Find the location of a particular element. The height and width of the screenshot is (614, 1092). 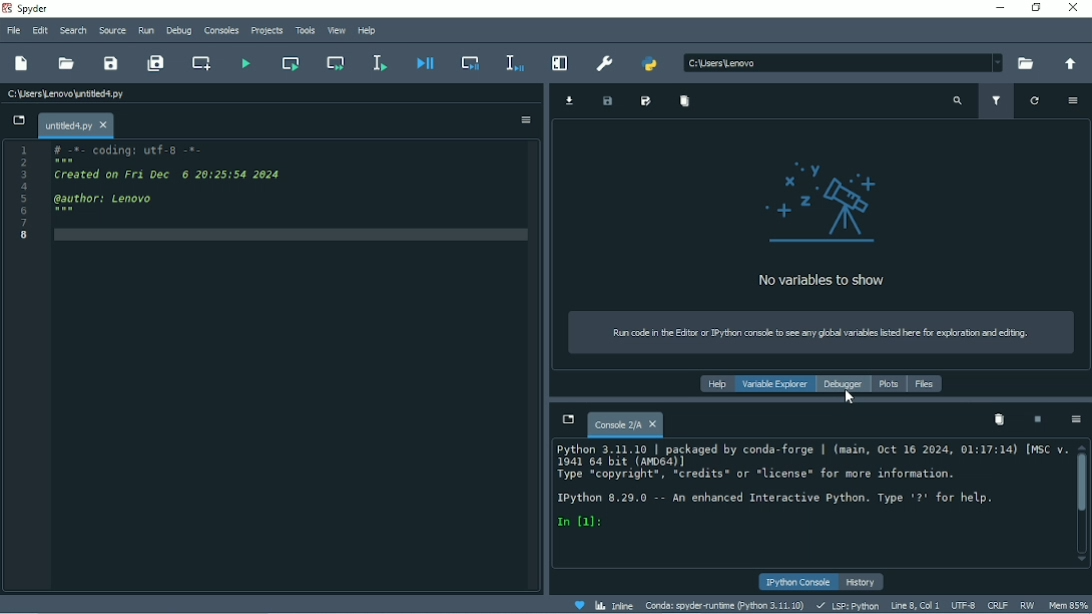

UTF-8 is located at coordinates (962, 605).